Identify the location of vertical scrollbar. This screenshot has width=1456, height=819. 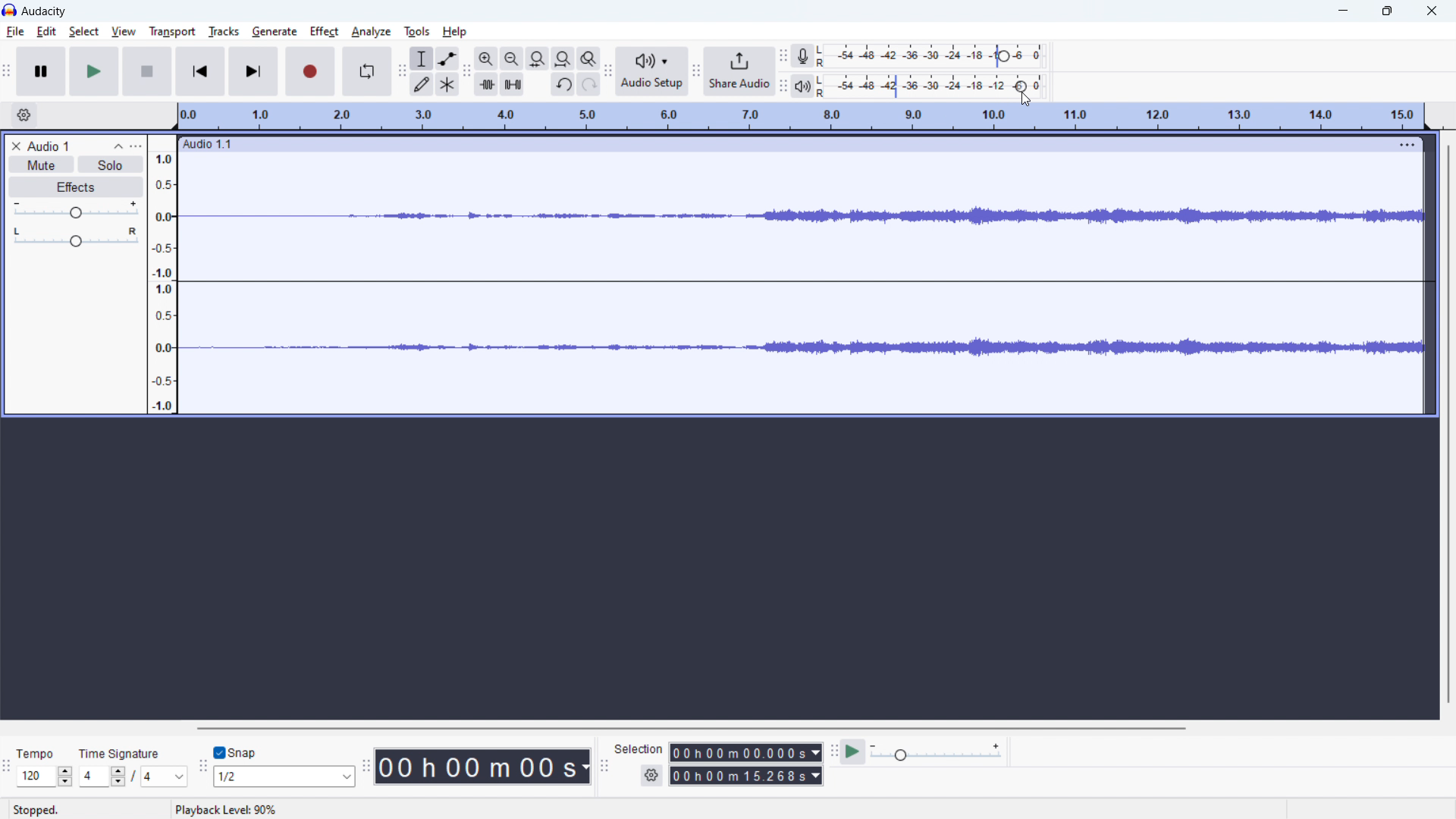
(1447, 422).